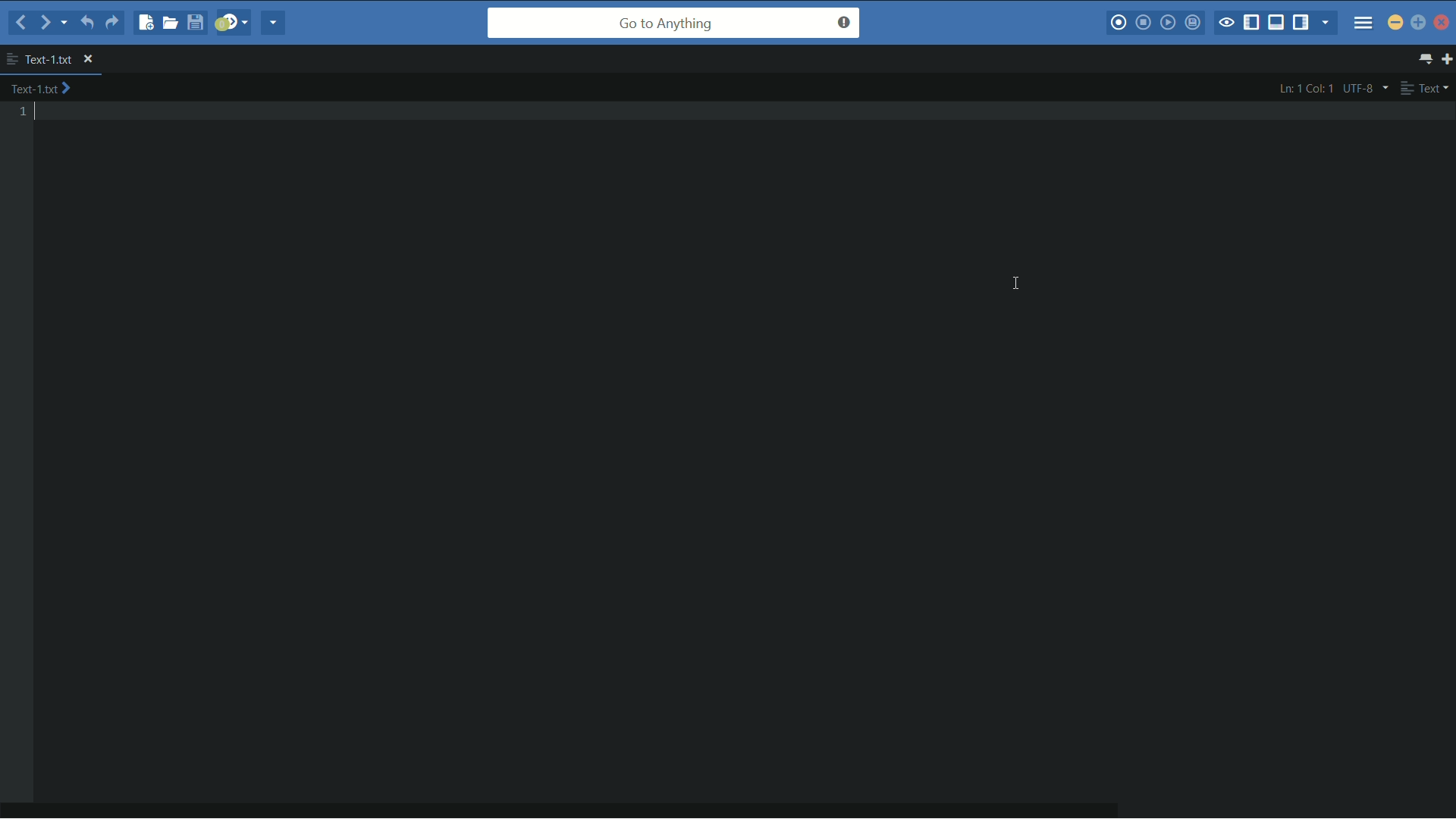  What do you see at coordinates (1015, 284) in the screenshot?
I see `text cursor` at bounding box center [1015, 284].